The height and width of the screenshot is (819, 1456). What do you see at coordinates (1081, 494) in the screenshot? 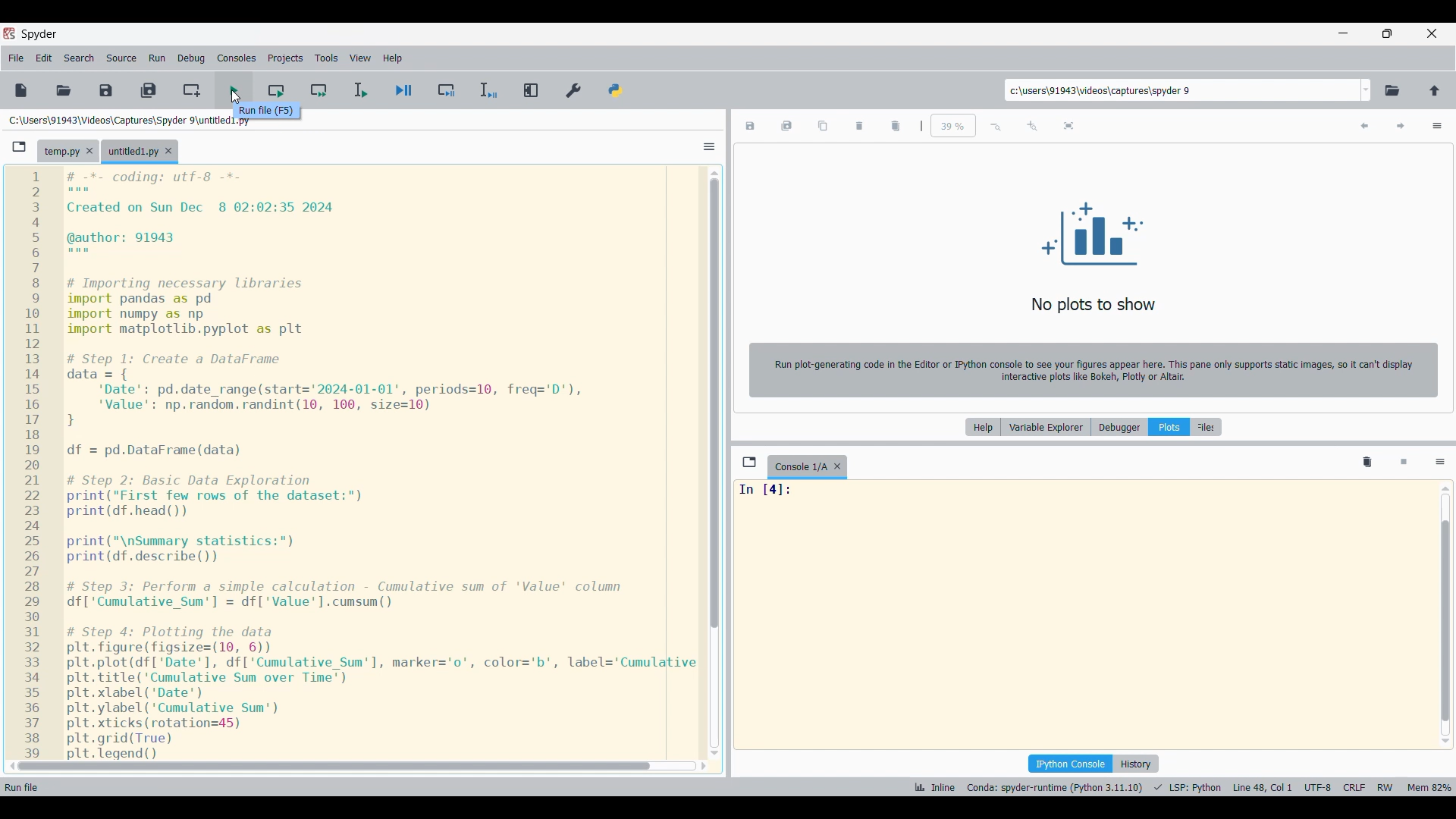
I see `In [4]:` at bounding box center [1081, 494].